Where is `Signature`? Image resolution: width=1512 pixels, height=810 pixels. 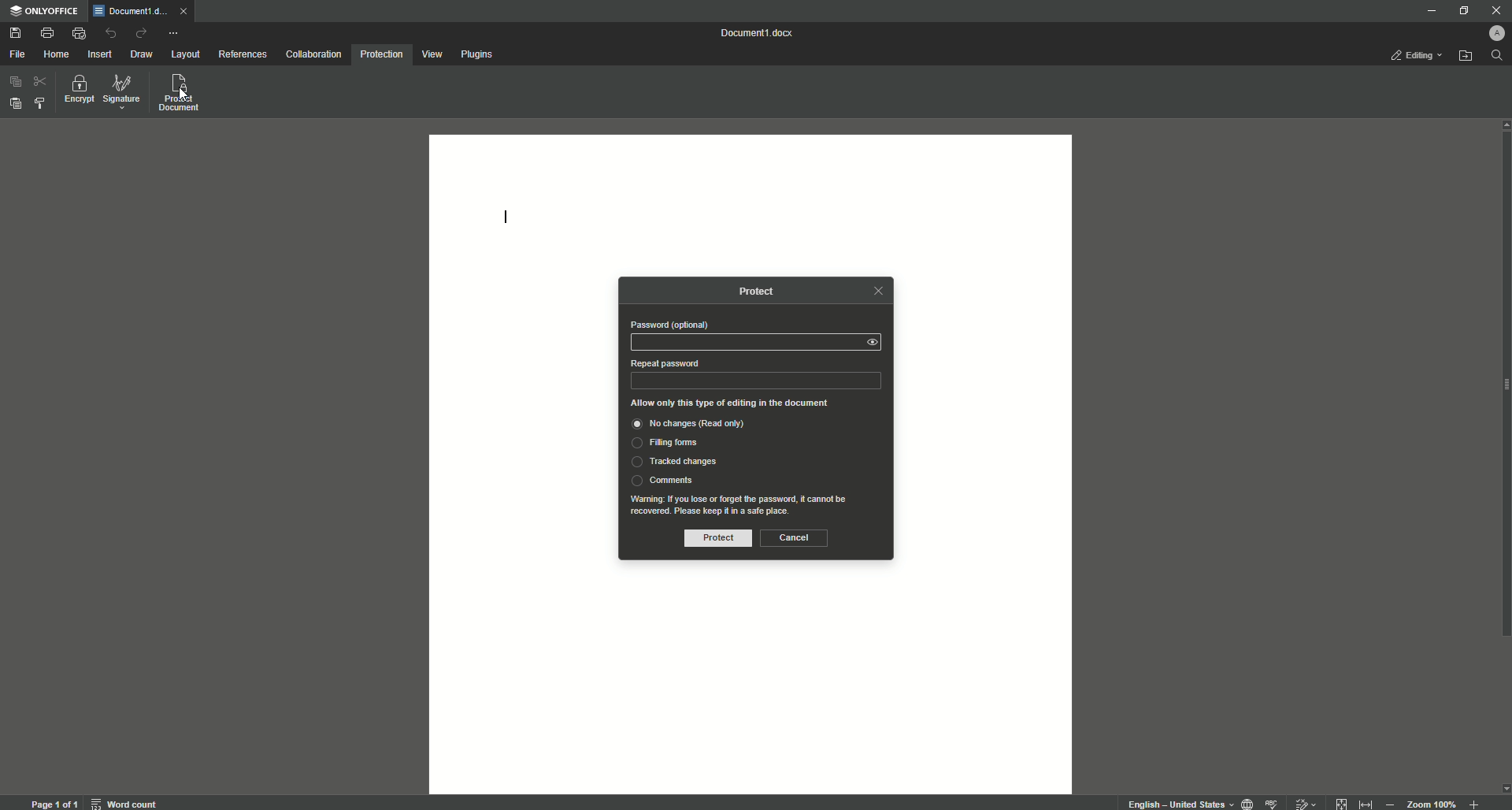
Signature is located at coordinates (122, 92).